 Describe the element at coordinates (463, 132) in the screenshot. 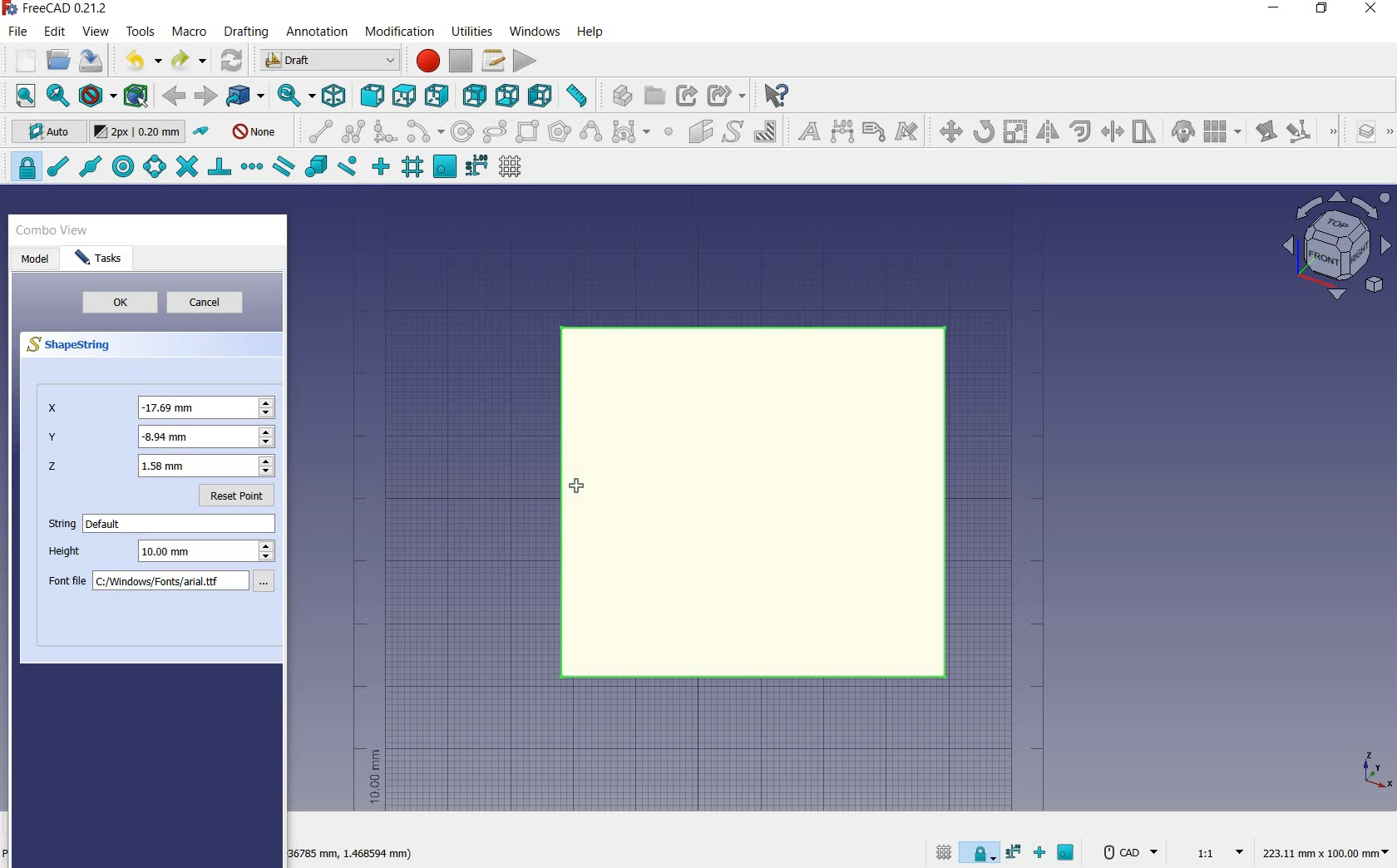

I see `circle` at that location.